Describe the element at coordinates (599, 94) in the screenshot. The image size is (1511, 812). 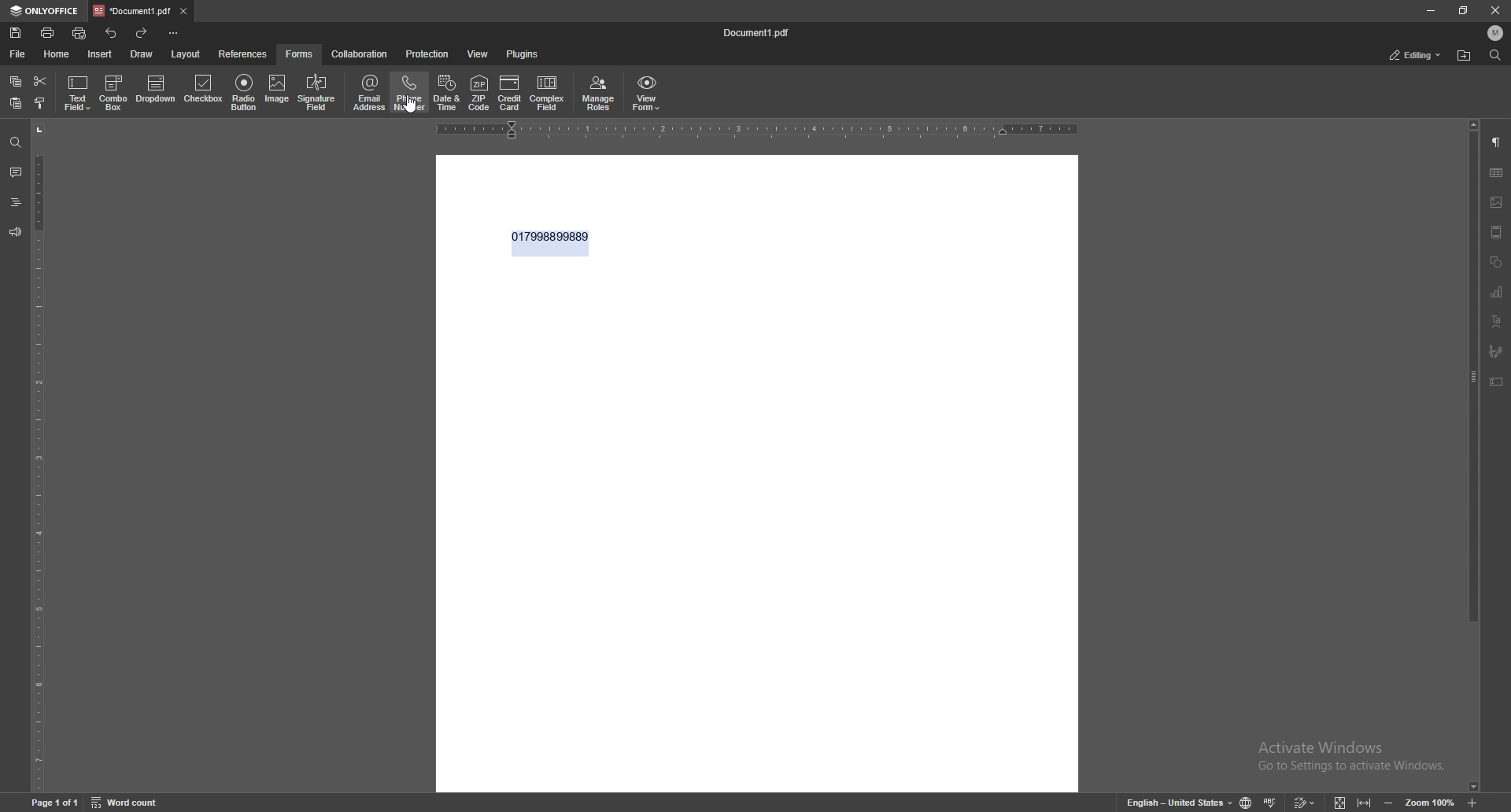
I see `manage roles` at that location.